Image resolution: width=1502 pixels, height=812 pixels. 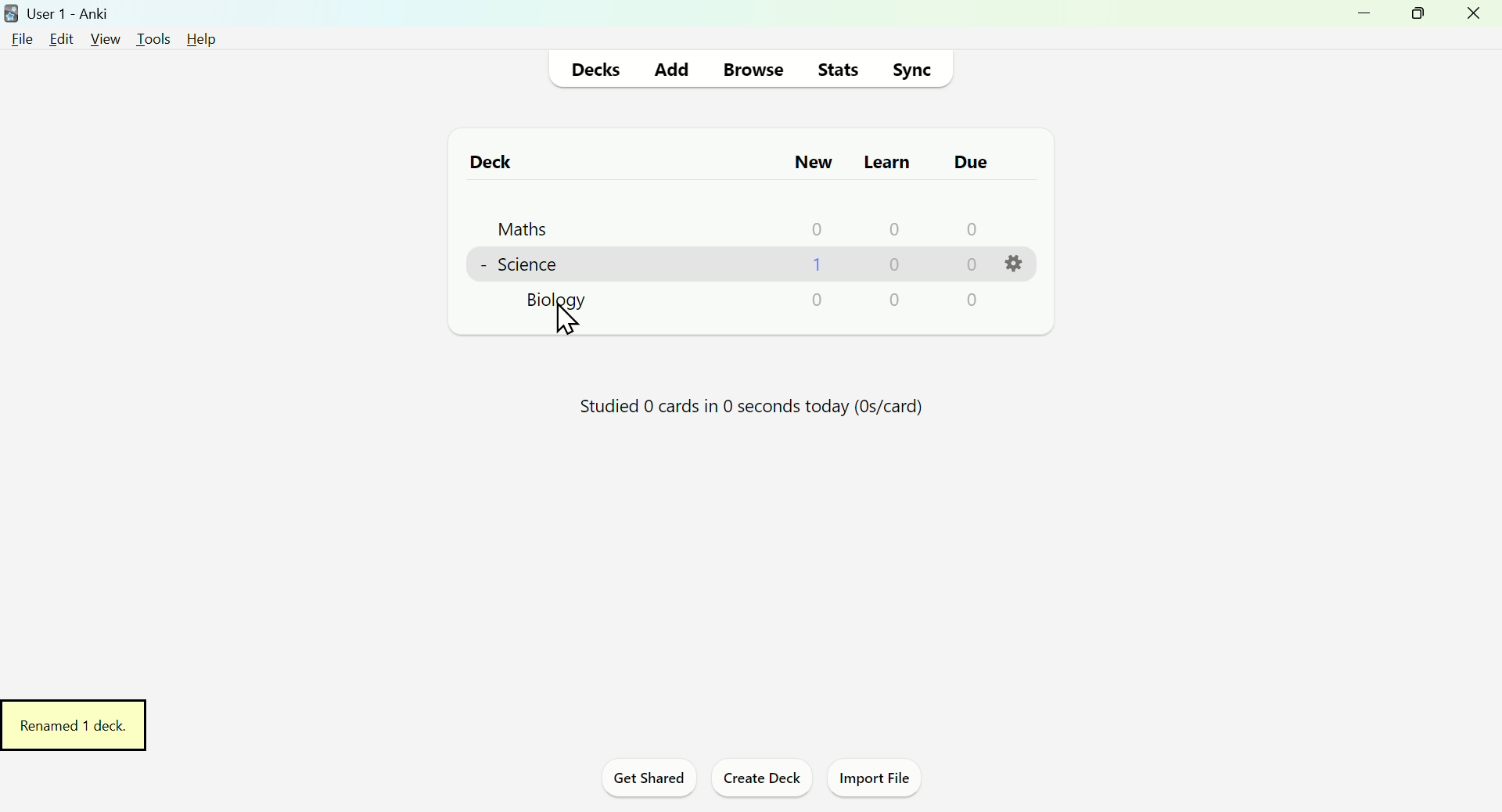 I want to click on Browse, so click(x=751, y=67).